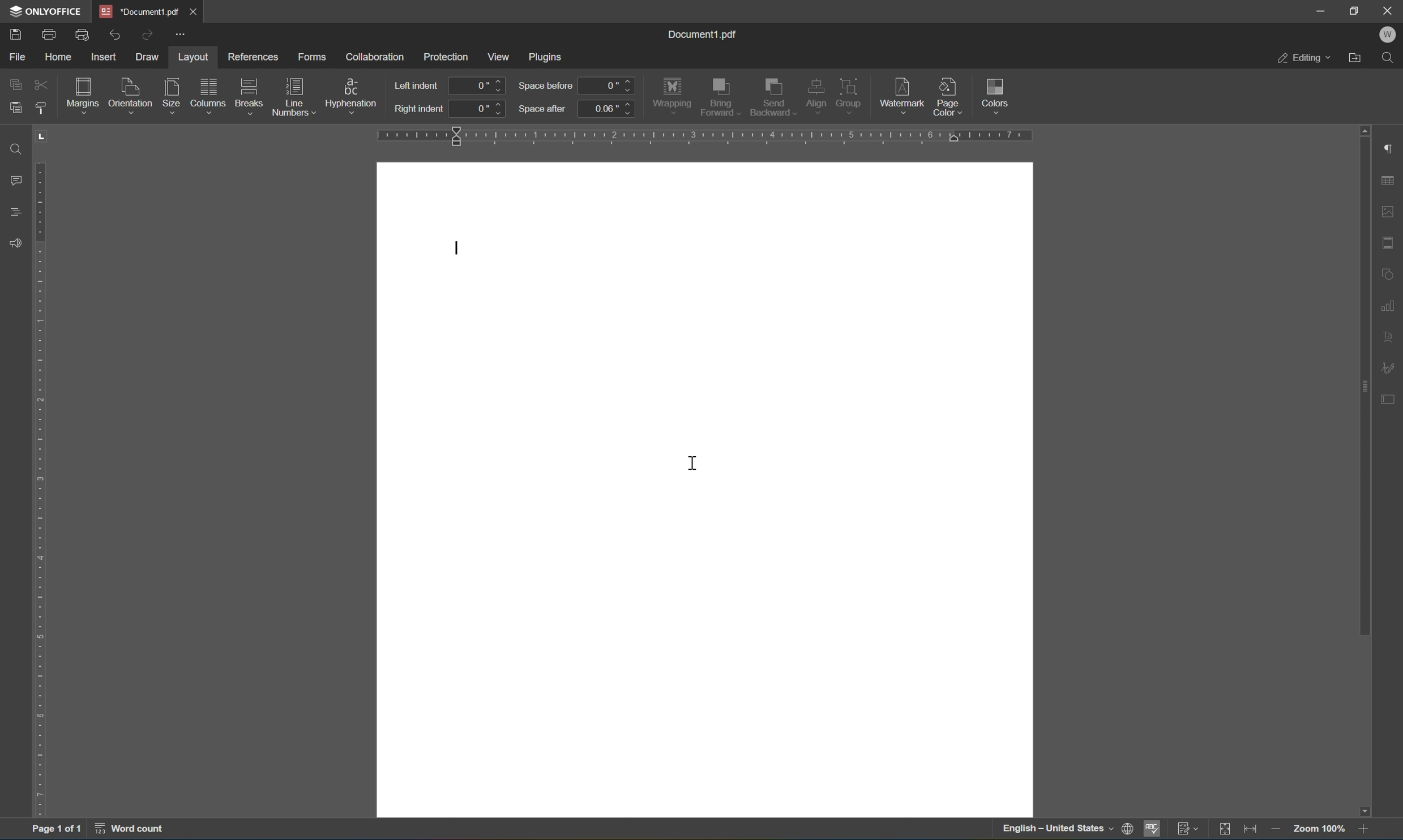 This screenshot has width=1403, height=840. I want to click on copy style, so click(41, 108).